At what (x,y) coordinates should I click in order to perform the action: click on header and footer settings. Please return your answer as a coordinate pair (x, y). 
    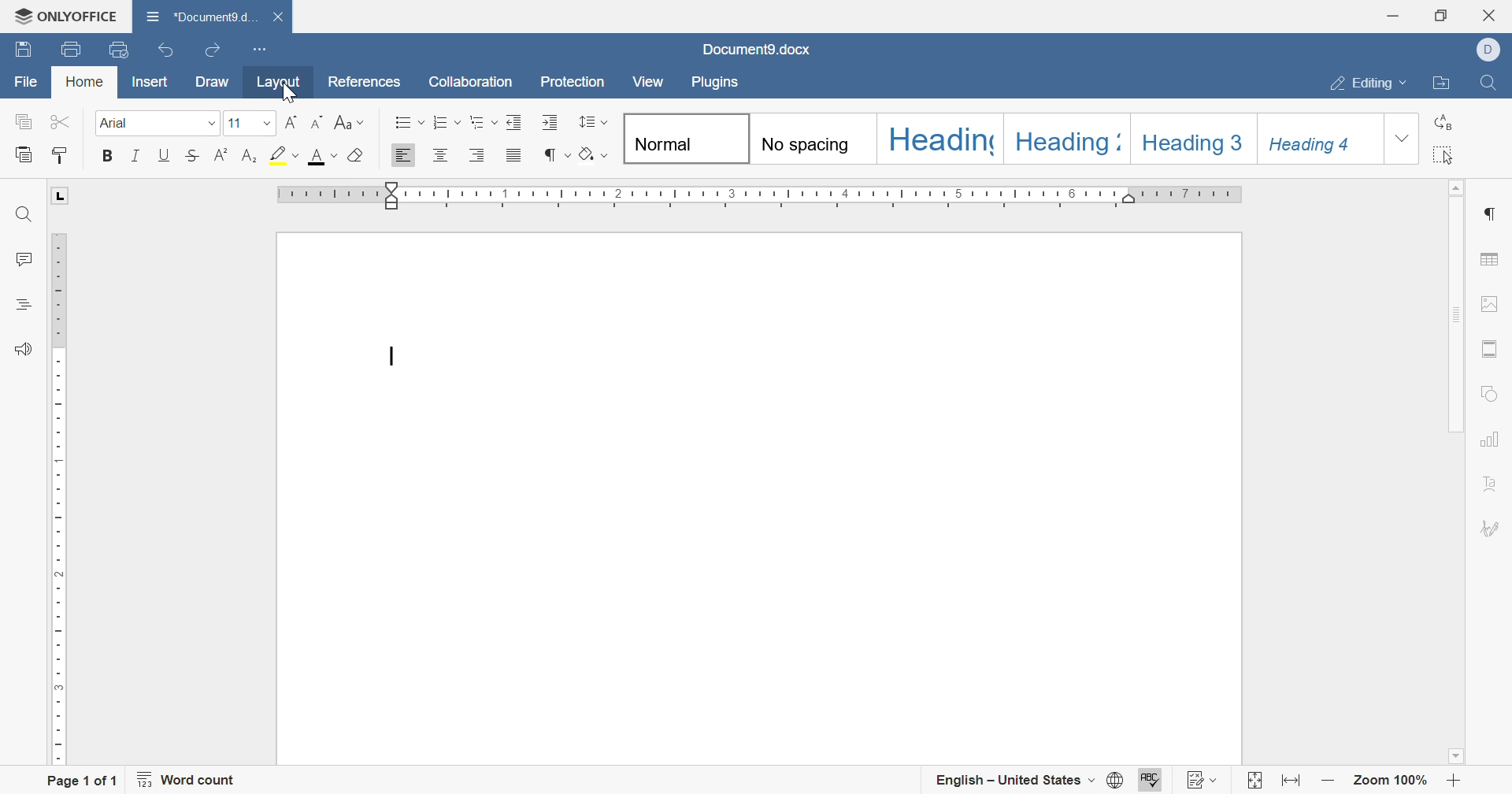
    Looking at the image, I should click on (1487, 349).